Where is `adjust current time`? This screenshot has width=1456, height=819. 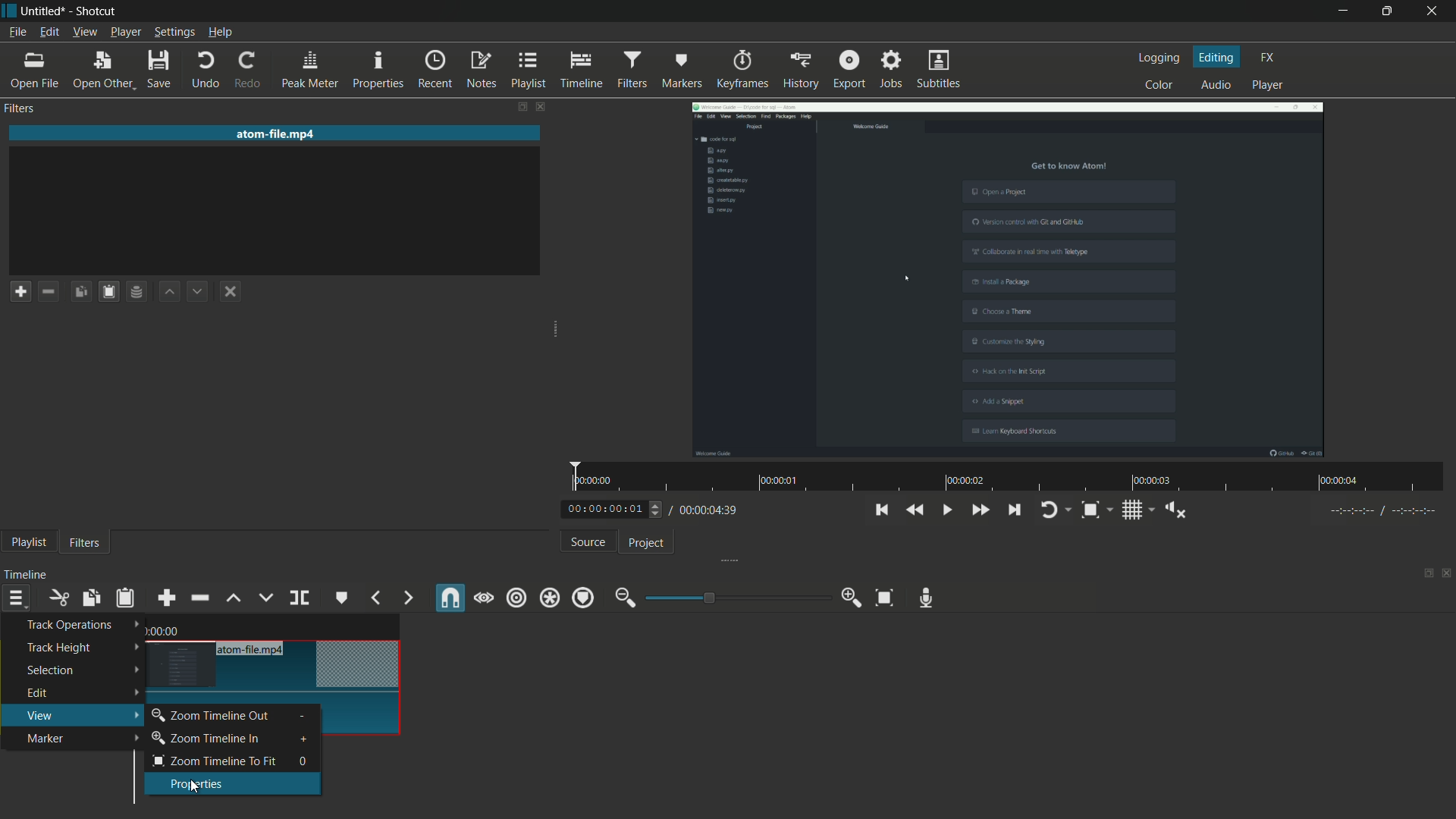
adjust current time is located at coordinates (615, 508).